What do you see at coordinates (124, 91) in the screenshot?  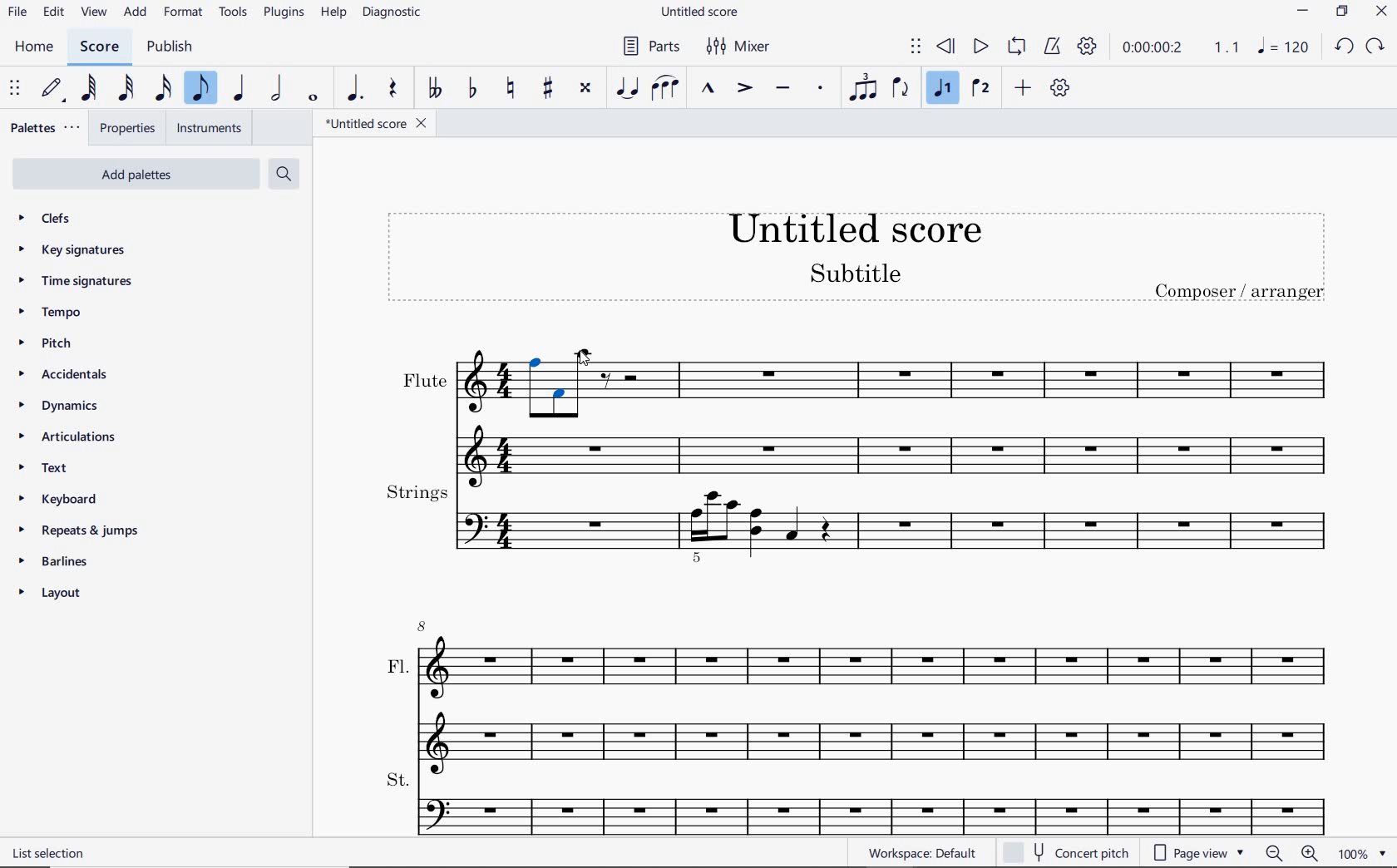 I see `32ND NOTE` at bounding box center [124, 91].